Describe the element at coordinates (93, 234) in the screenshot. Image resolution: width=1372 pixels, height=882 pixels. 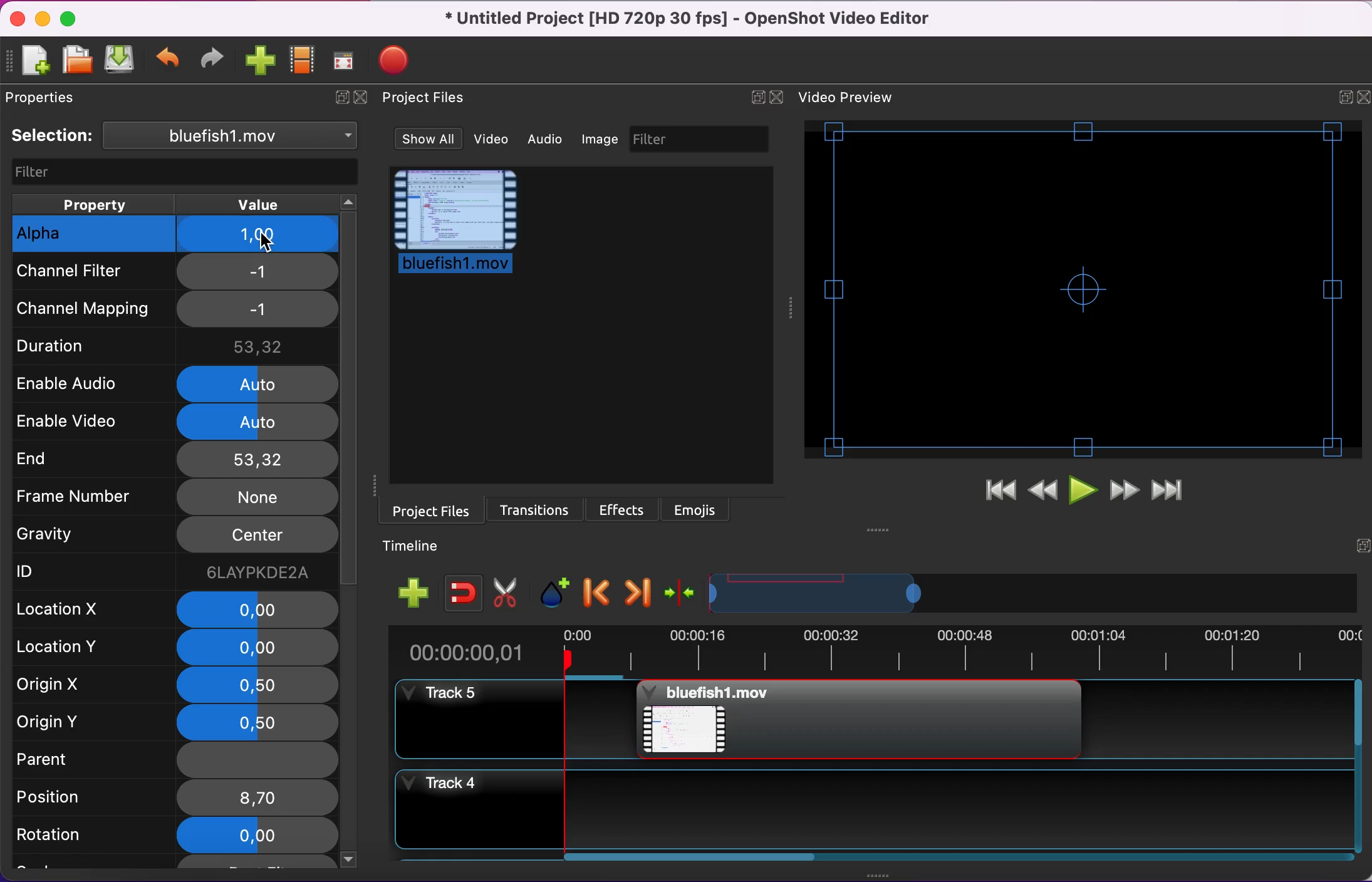
I see `alpha` at that location.